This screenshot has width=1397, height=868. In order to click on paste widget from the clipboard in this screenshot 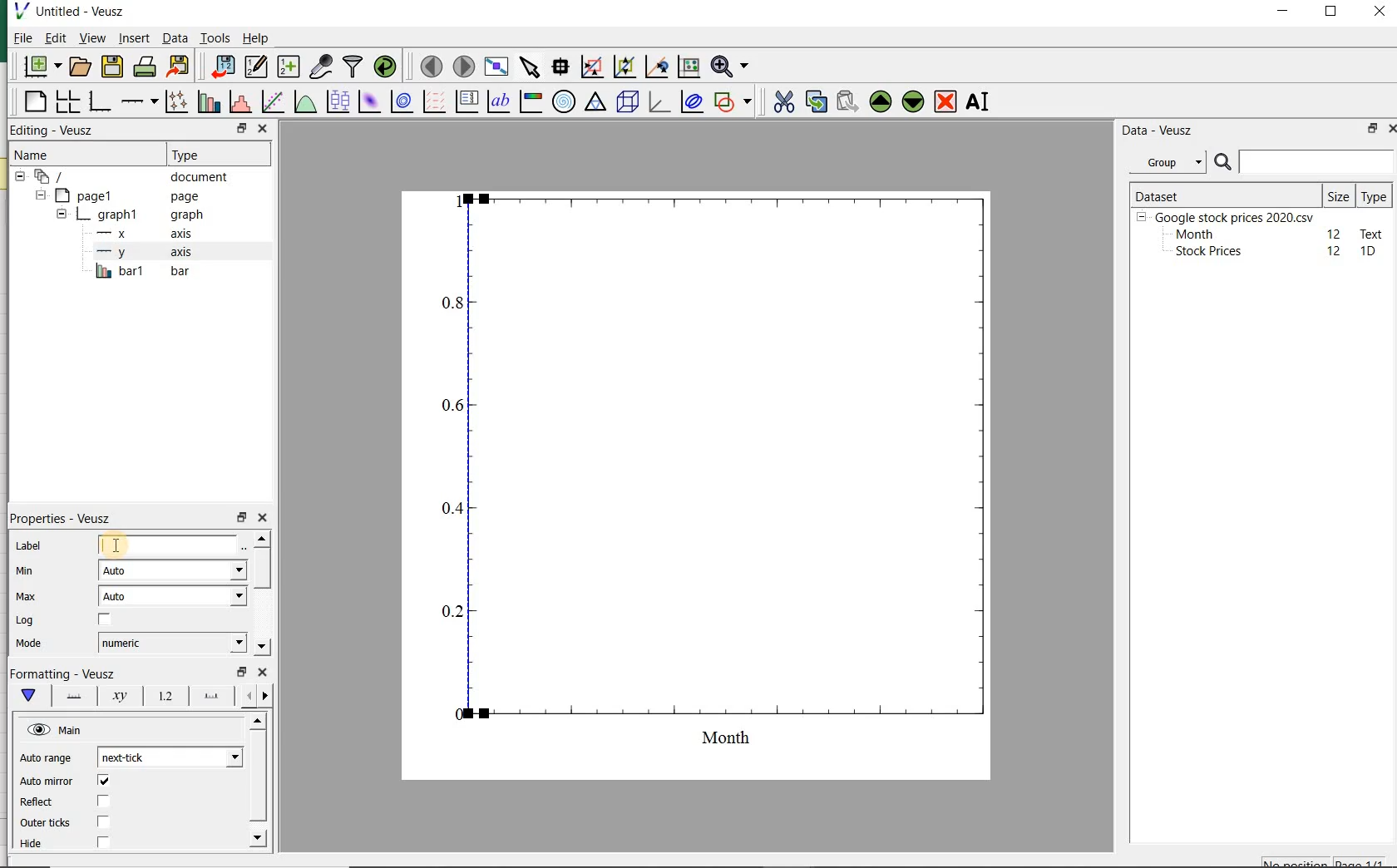, I will do `click(847, 102)`.